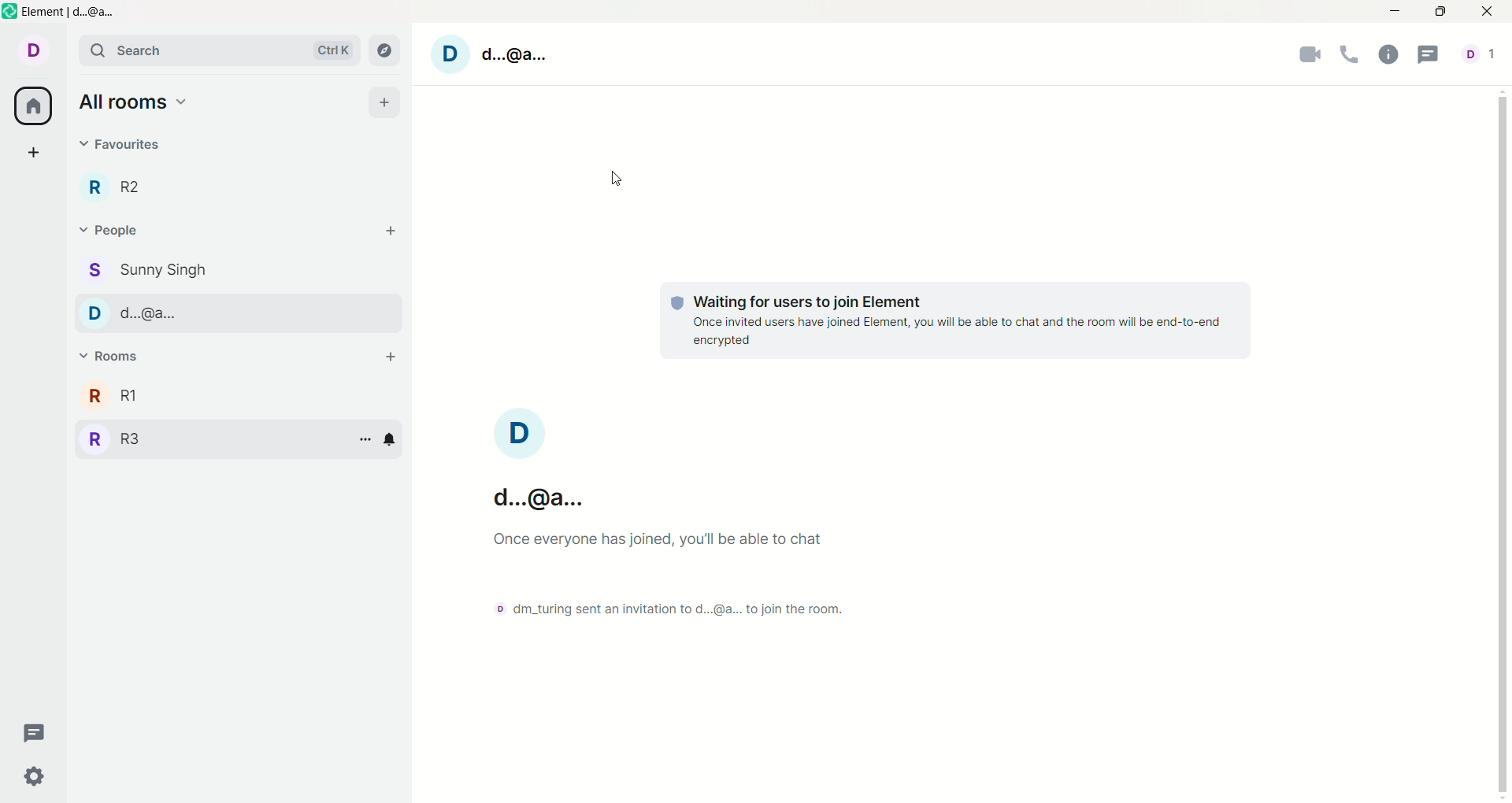 This screenshot has height=803, width=1512. I want to click on all rooms, so click(133, 102).